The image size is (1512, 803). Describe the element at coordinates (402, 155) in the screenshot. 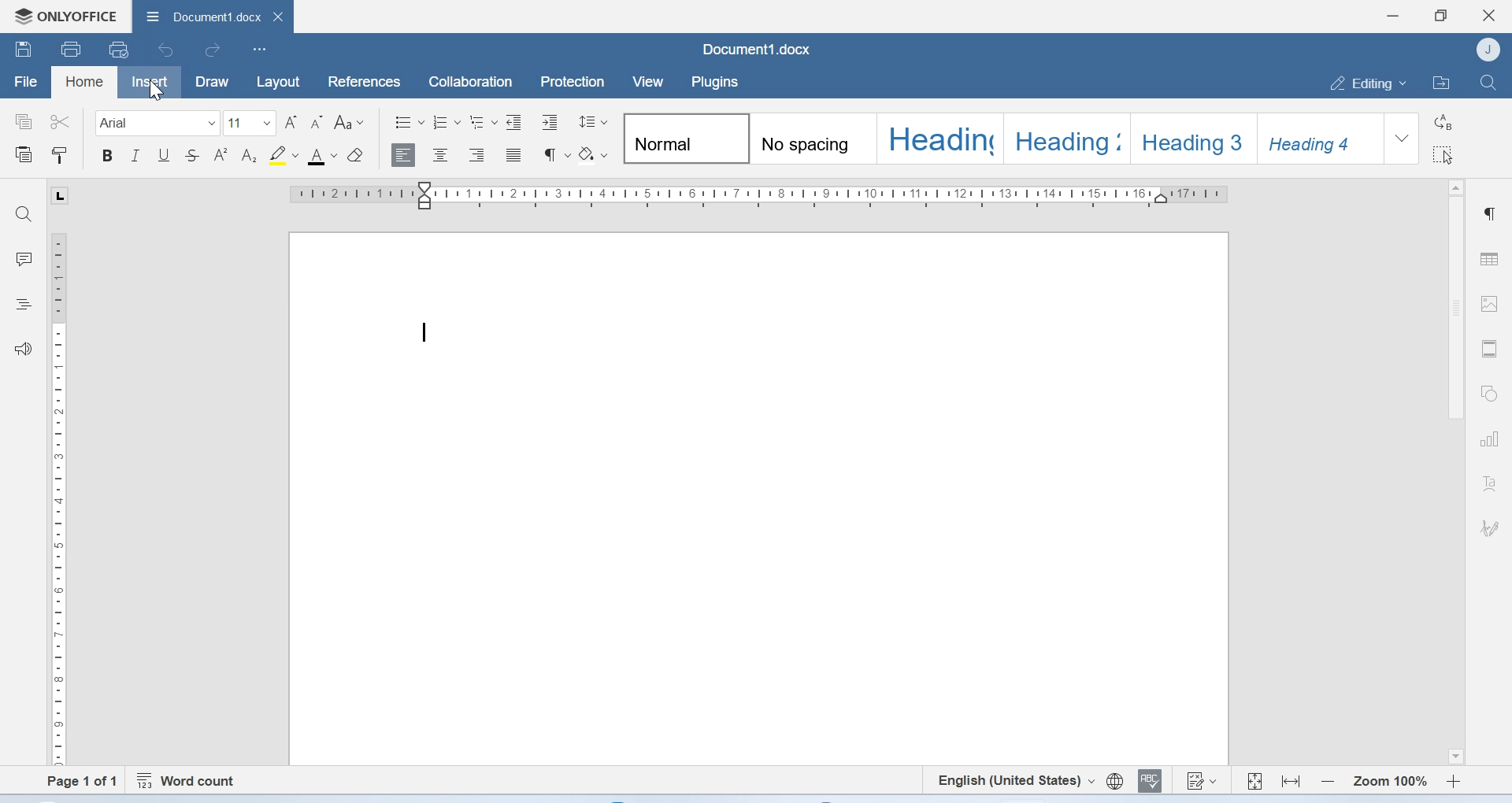

I see `Align left` at that location.